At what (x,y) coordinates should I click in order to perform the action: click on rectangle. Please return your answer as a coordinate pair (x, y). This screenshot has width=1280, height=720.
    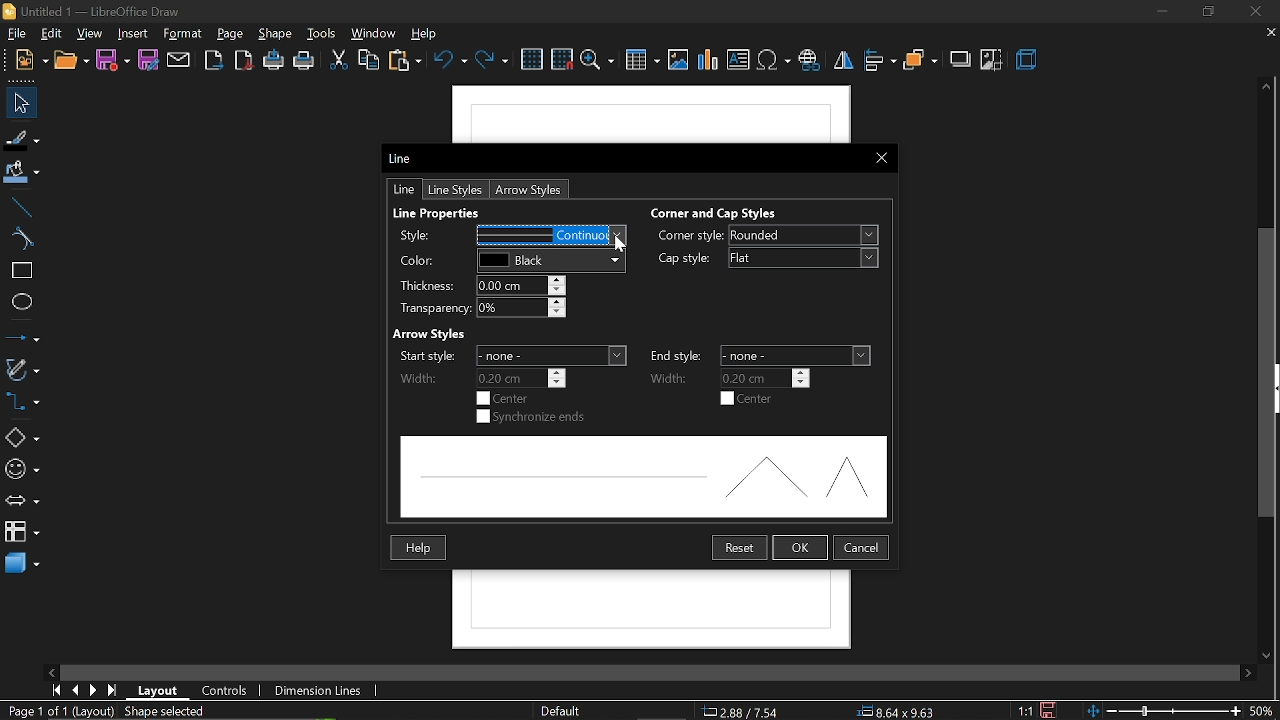
    Looking at the image, I should click on (21, 272).